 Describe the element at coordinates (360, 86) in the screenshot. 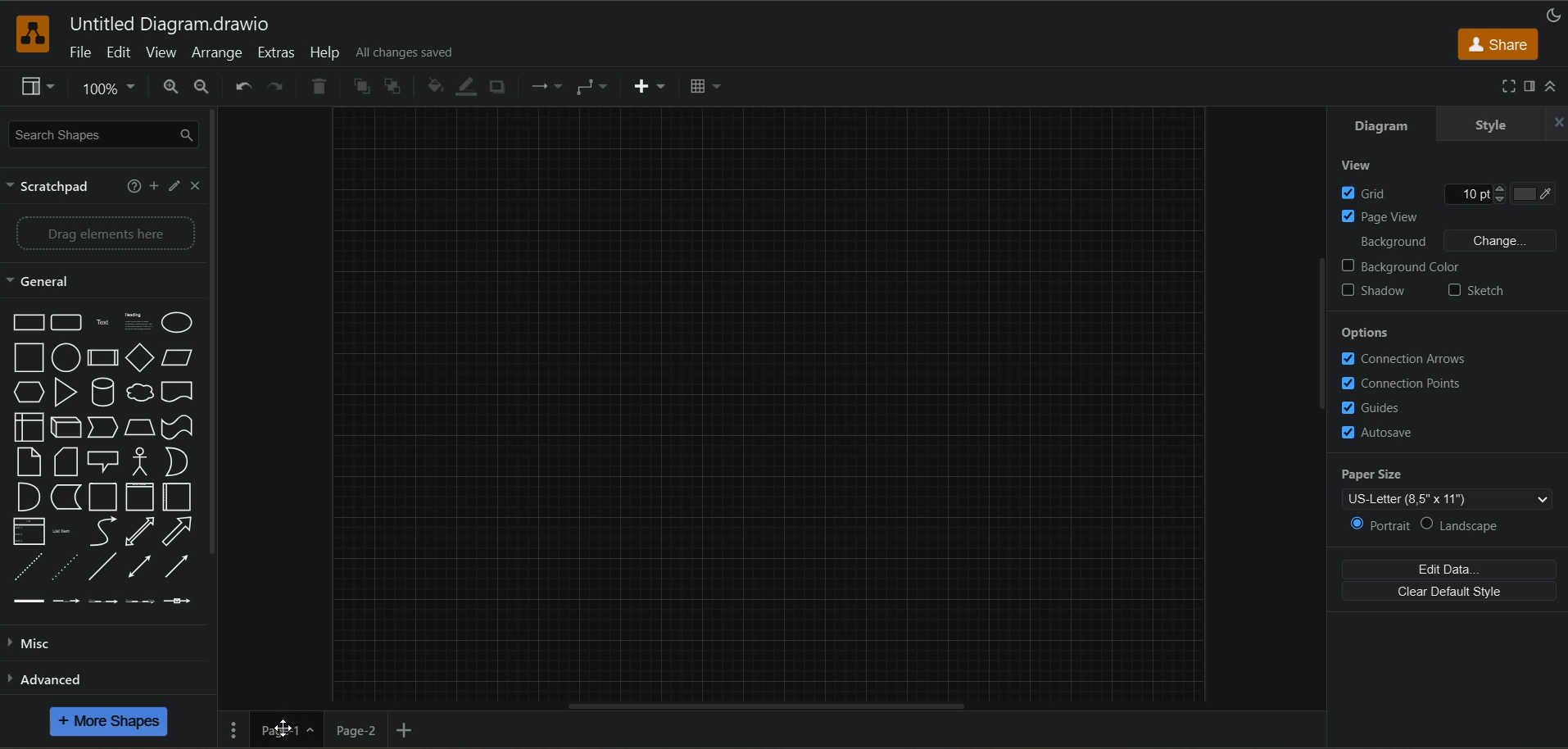

I see `to front` at that location.